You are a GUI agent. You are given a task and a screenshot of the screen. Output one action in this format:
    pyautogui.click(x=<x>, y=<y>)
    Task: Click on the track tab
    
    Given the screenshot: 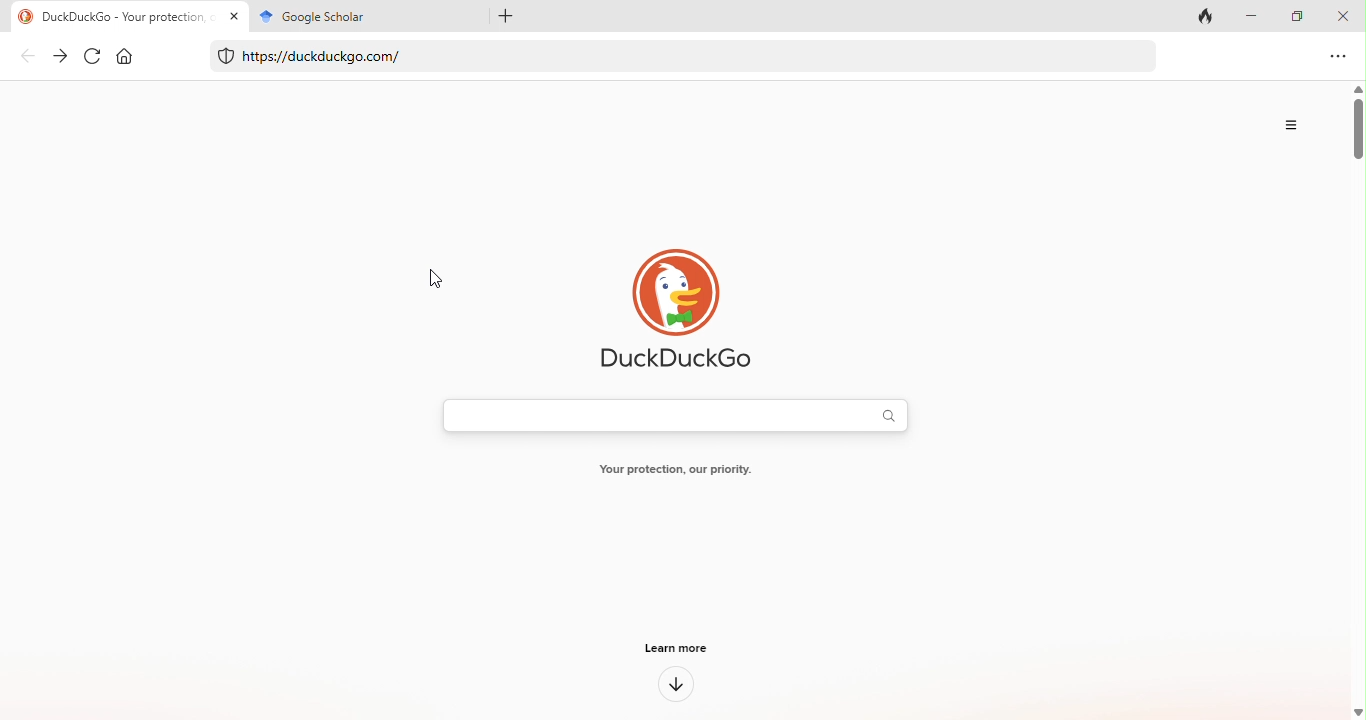 What is the action you would take?
    pyautogui.click(x=1210, y=15)
    